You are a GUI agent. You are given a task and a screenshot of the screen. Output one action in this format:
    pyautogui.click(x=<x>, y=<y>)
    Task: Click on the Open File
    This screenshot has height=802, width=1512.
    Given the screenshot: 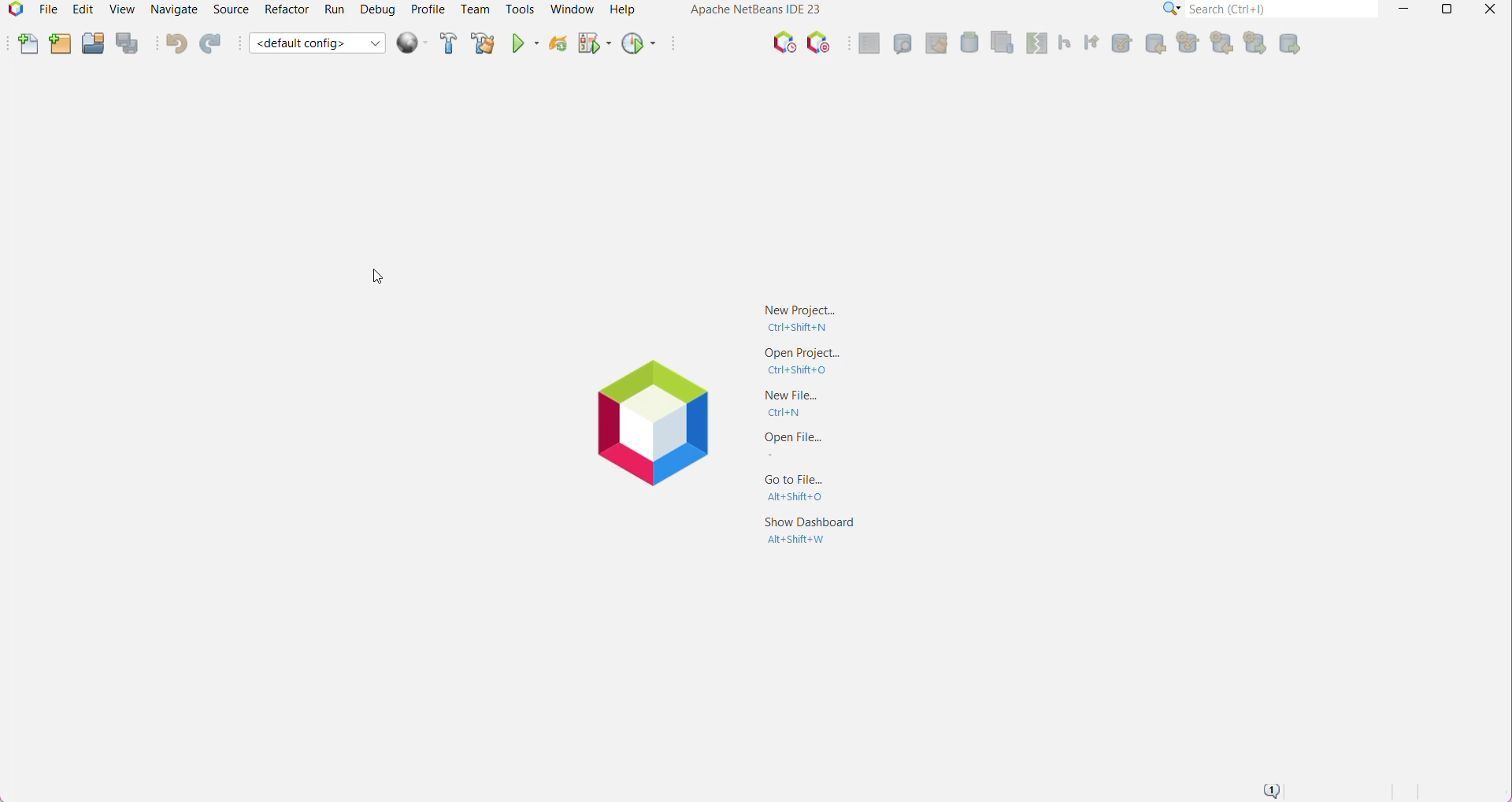 What is the action you would take?
    pyautogui.click(x=806, y=445)
    